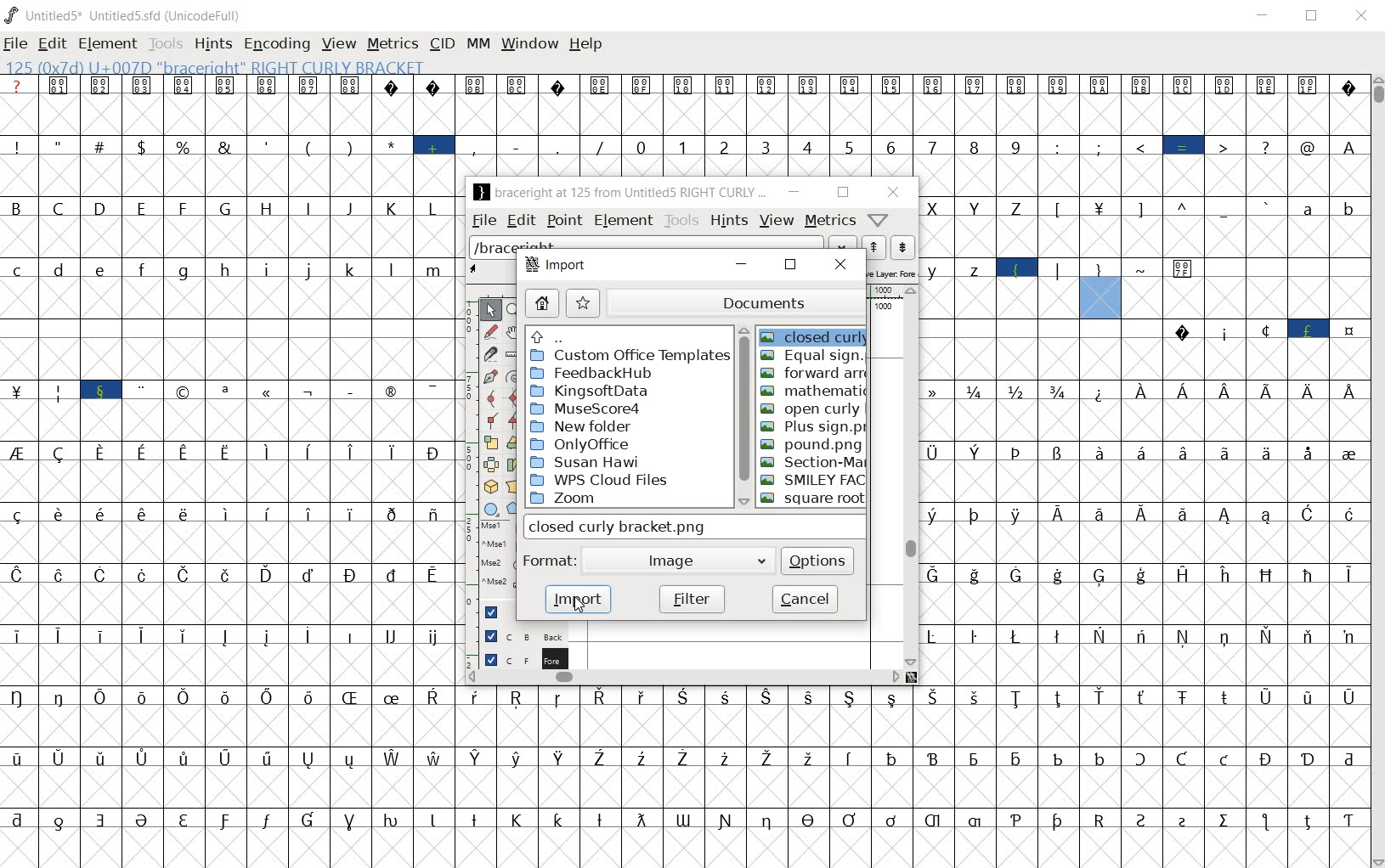 The width and height of the screenshot is (1385, 868). Describe the element at coordinates (623, 222) in the screenshot. I see `element` at that location.